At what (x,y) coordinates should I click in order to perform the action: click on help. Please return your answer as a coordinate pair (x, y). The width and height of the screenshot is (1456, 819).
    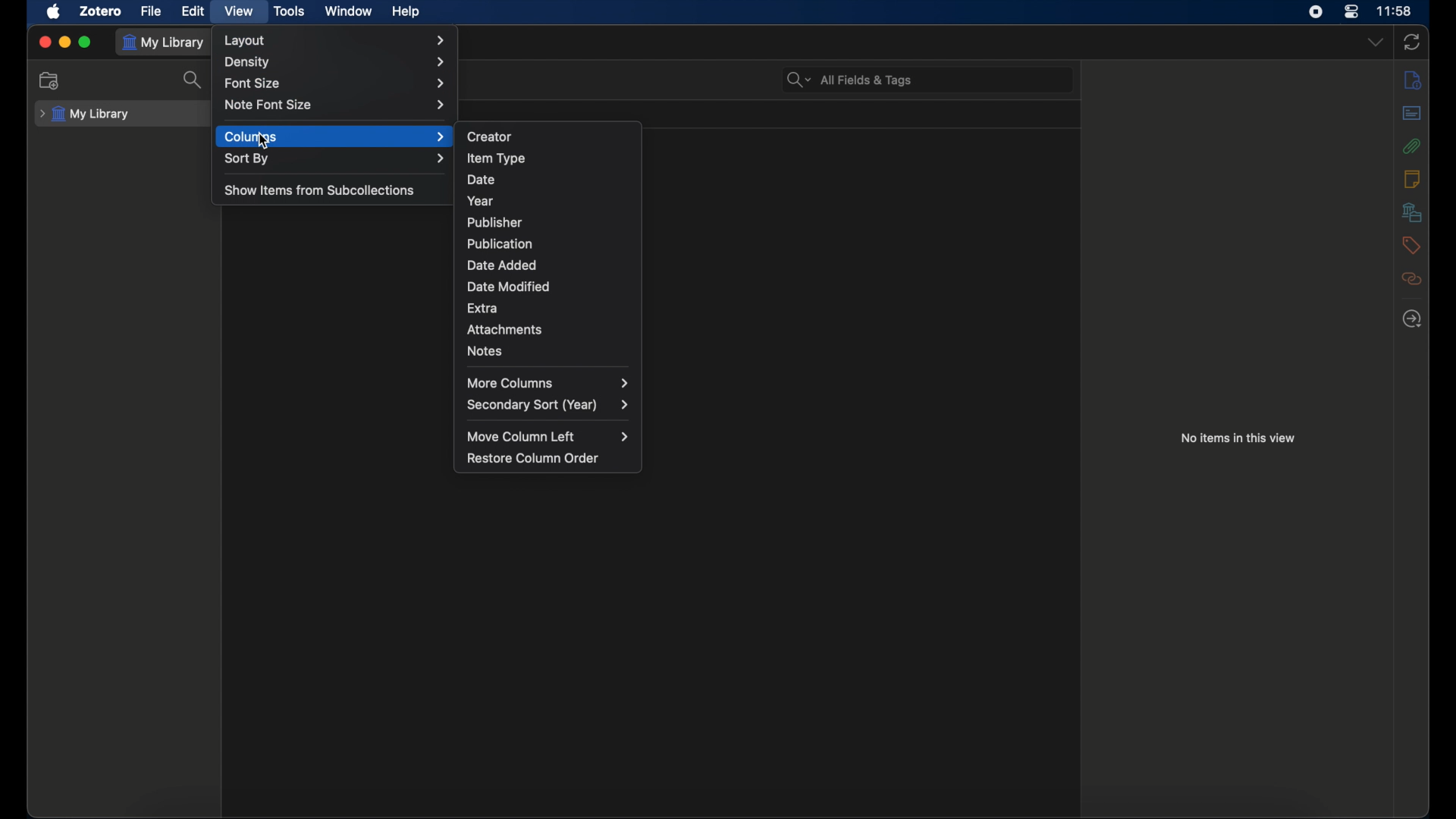
    Looking at the image, I should click on (406, 12).